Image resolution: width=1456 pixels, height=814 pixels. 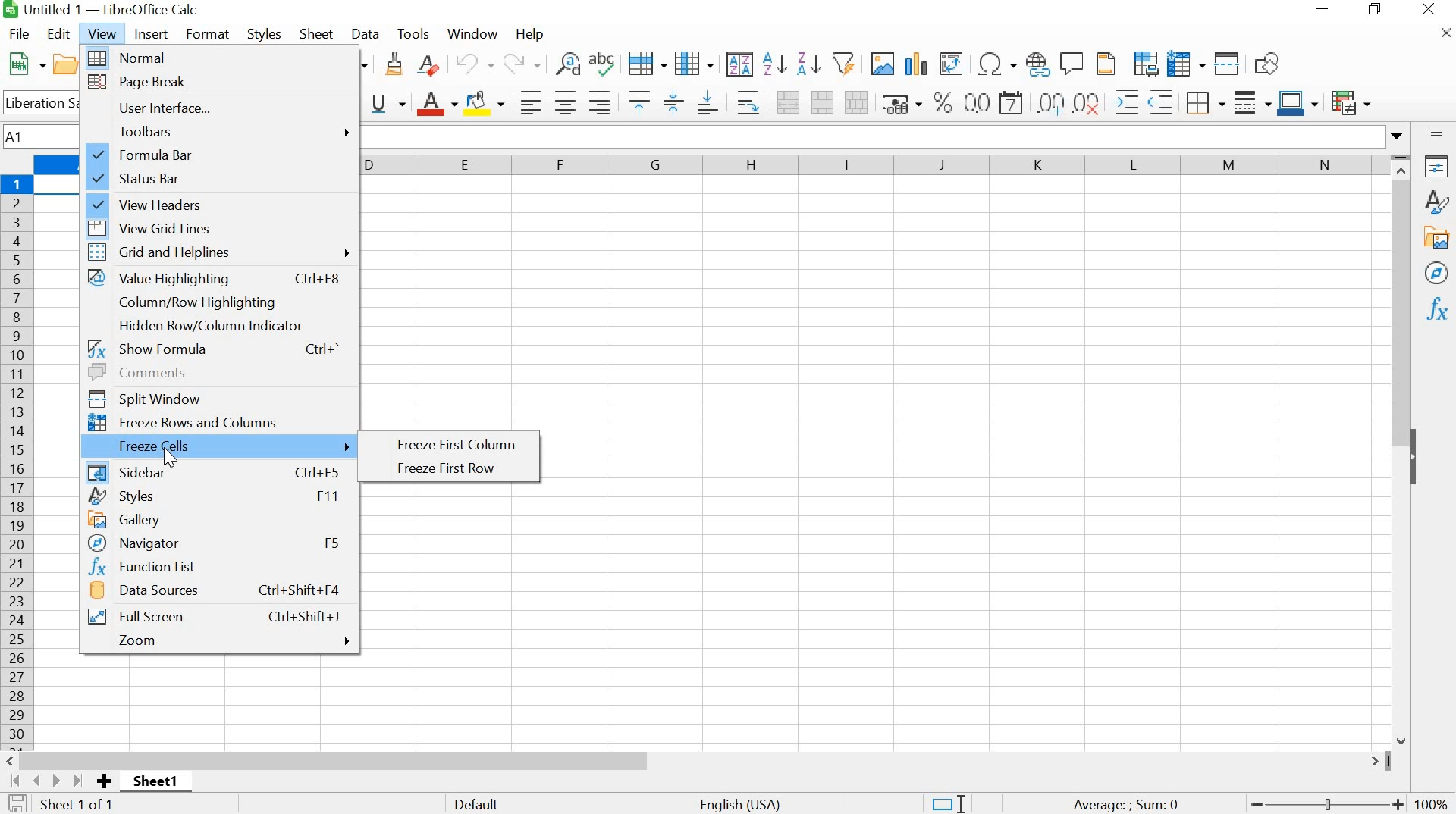 I want to click on ALIGN CENTER, so click(x=564, y=103).